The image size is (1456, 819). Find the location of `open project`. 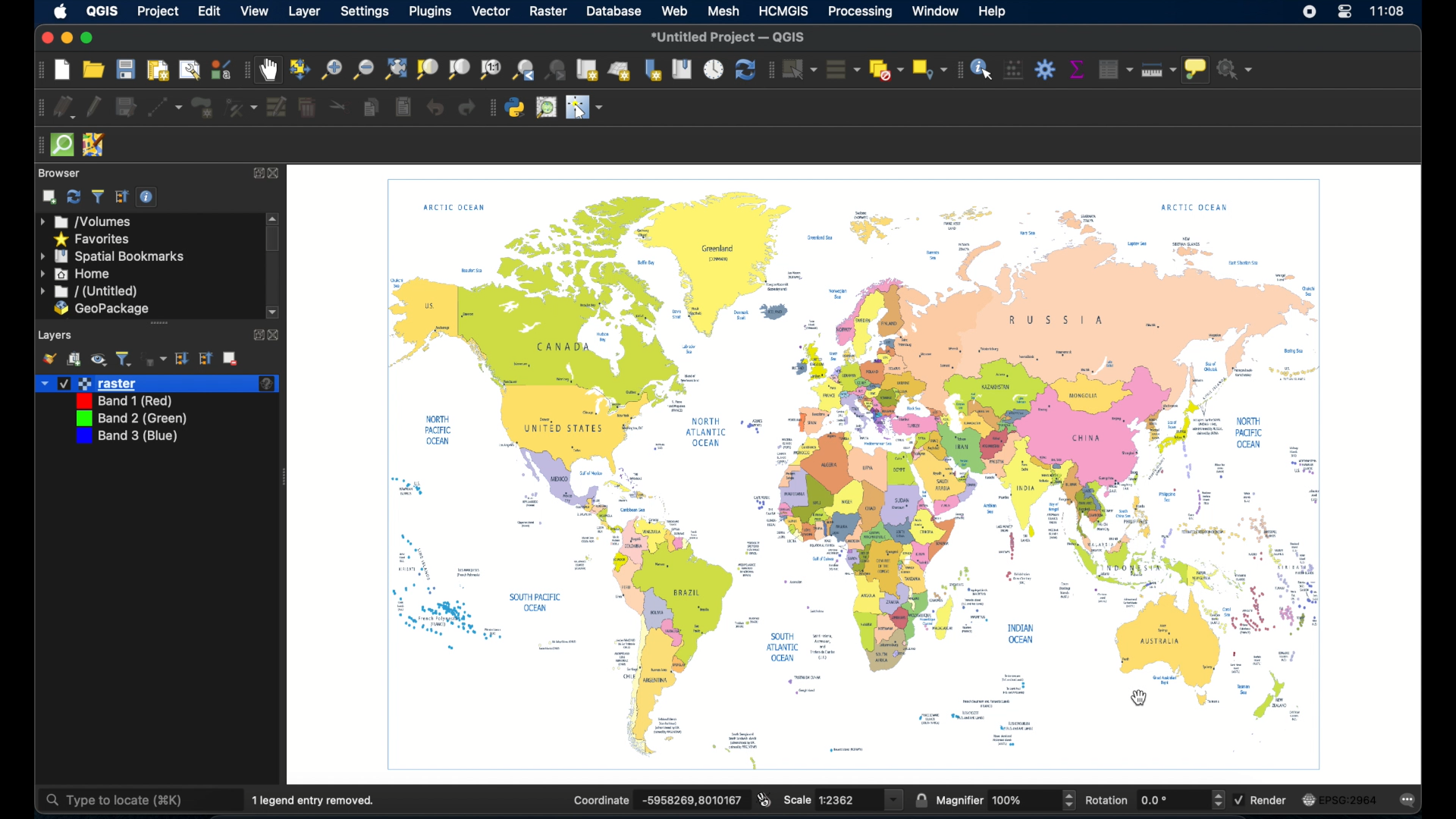

open project is located at coordinates (95, 69).